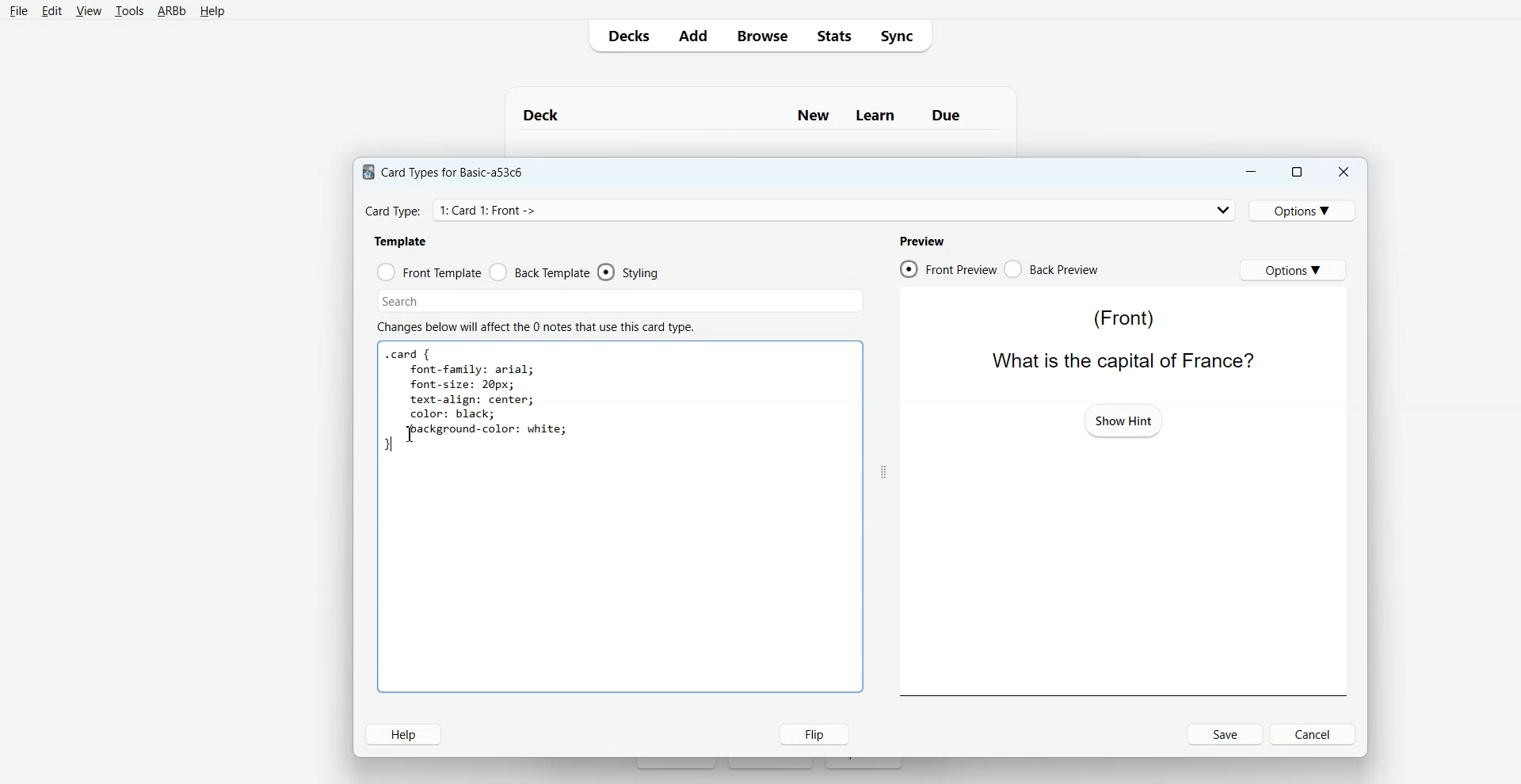 This screenshot has height=784, width=1521. Describe the element at coordinates (212, 12) in the screenshot. I see `Help` at that location.